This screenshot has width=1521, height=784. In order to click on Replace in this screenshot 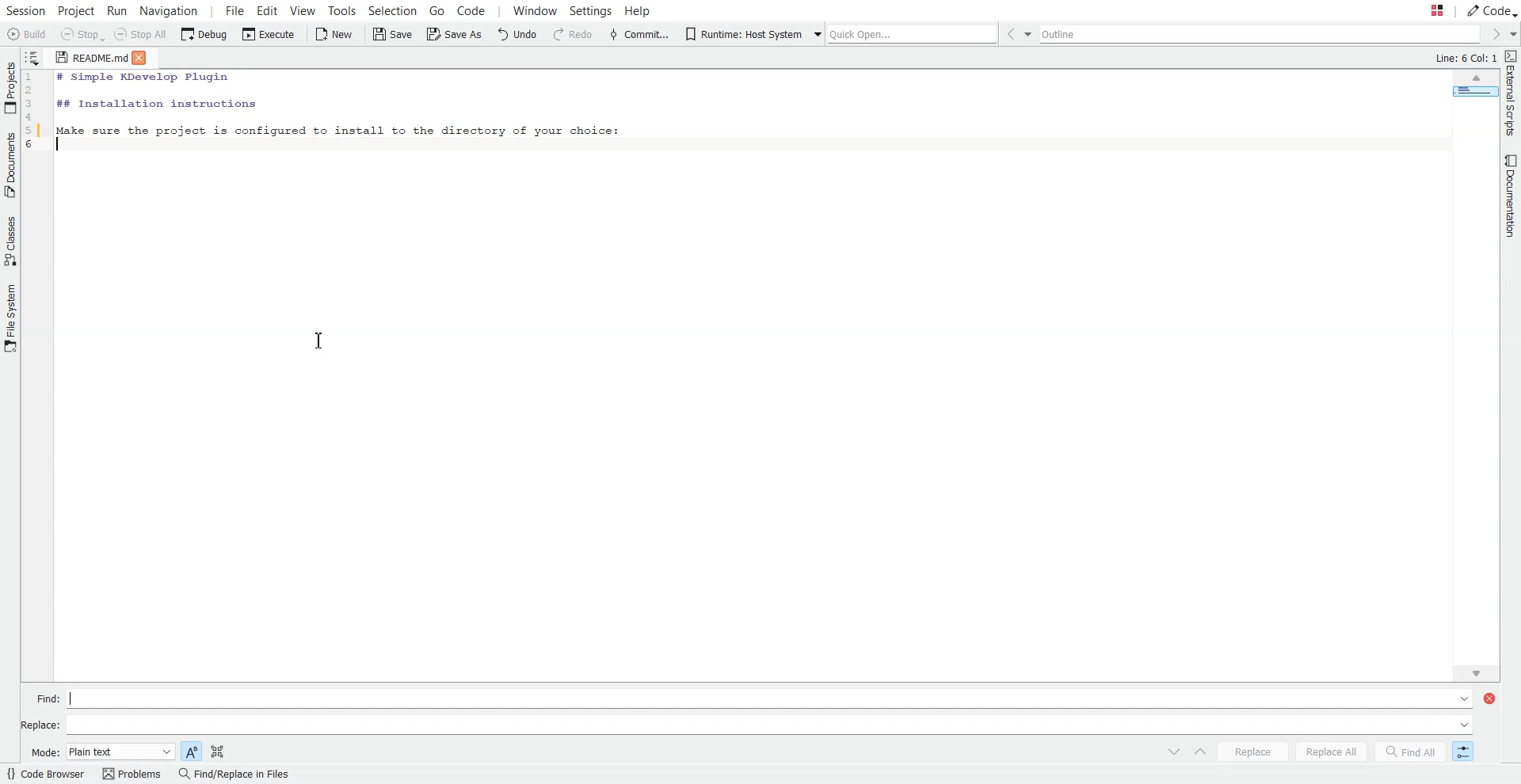, I will do `click(1253, 751)`.